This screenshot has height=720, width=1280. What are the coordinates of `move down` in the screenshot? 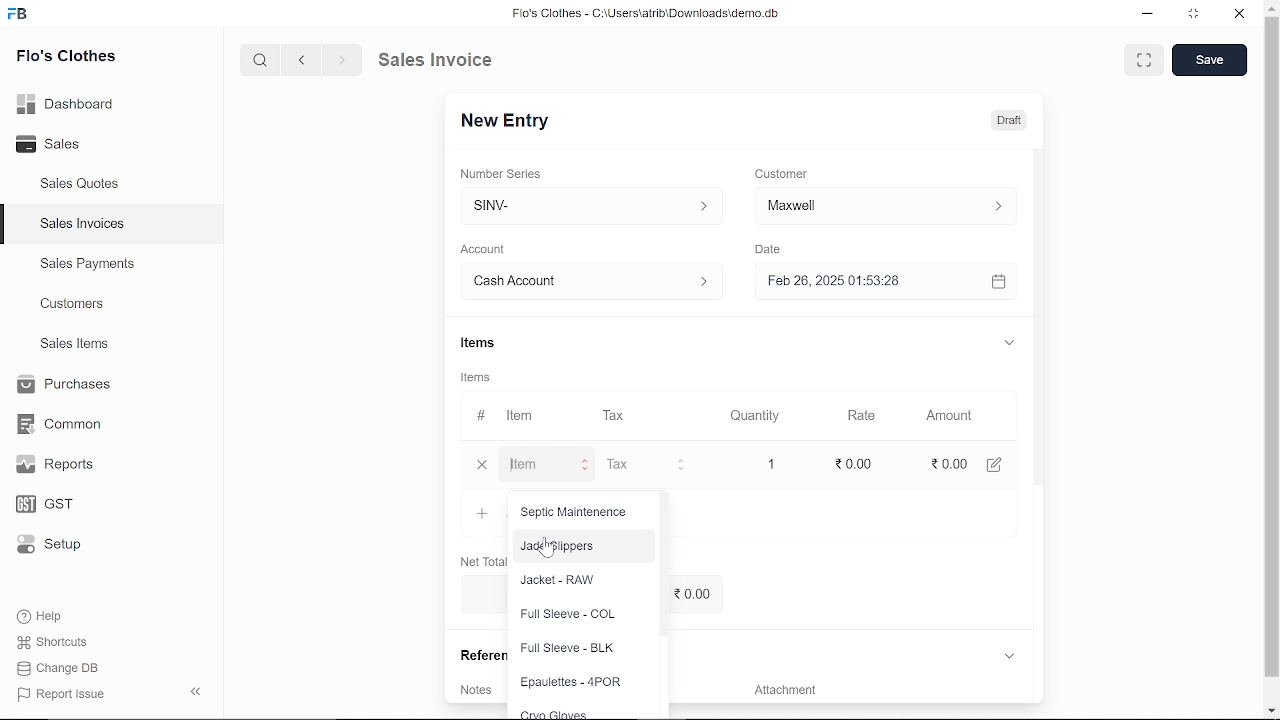 It's located at (1272, 708).